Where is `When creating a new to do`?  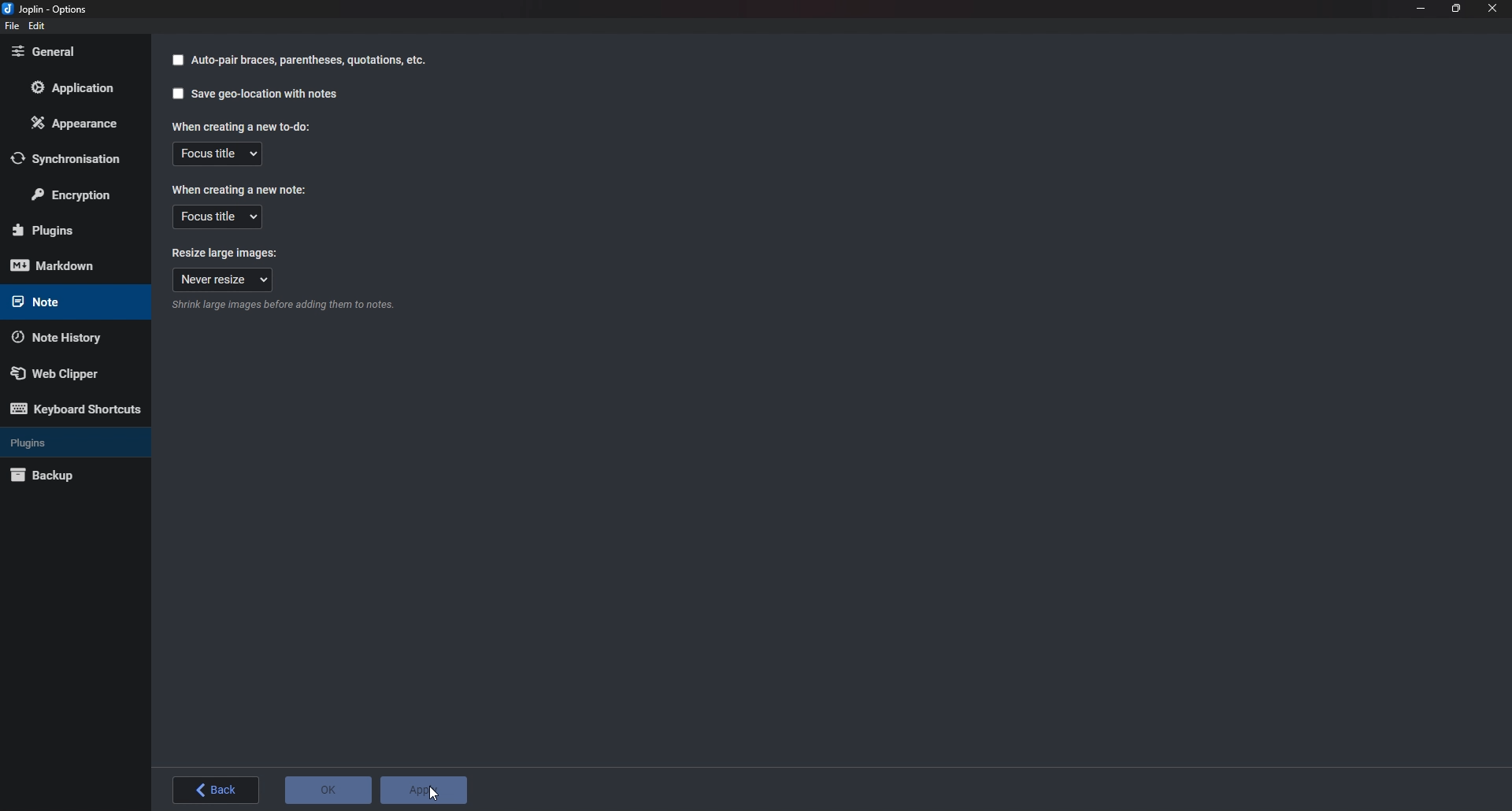
When creating a new to do is located at coordinates (239, 125).